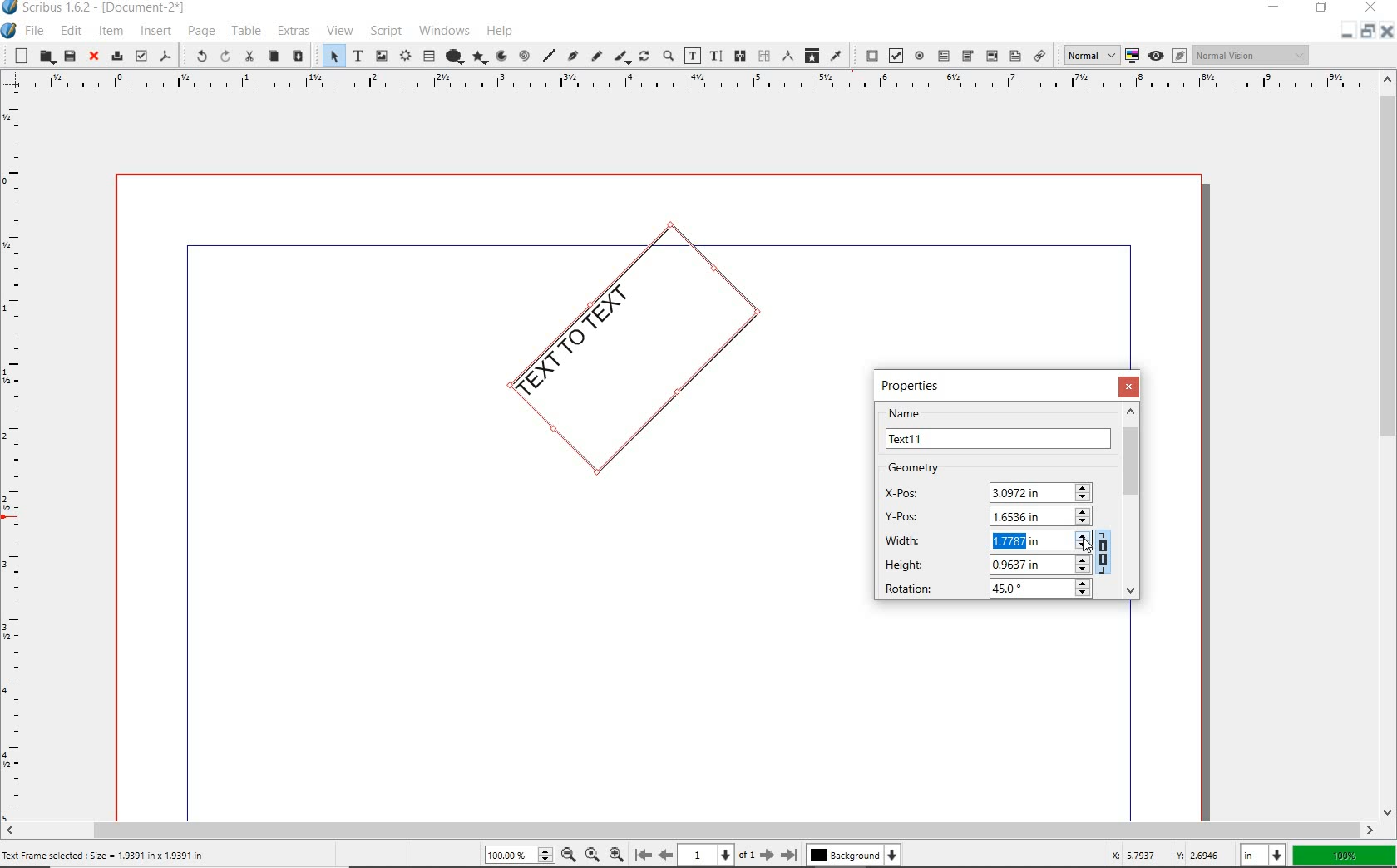  What do you see at coordinates (620, 852) in the screenshot?
I see `zoom in` at bounding box center [620, 852].